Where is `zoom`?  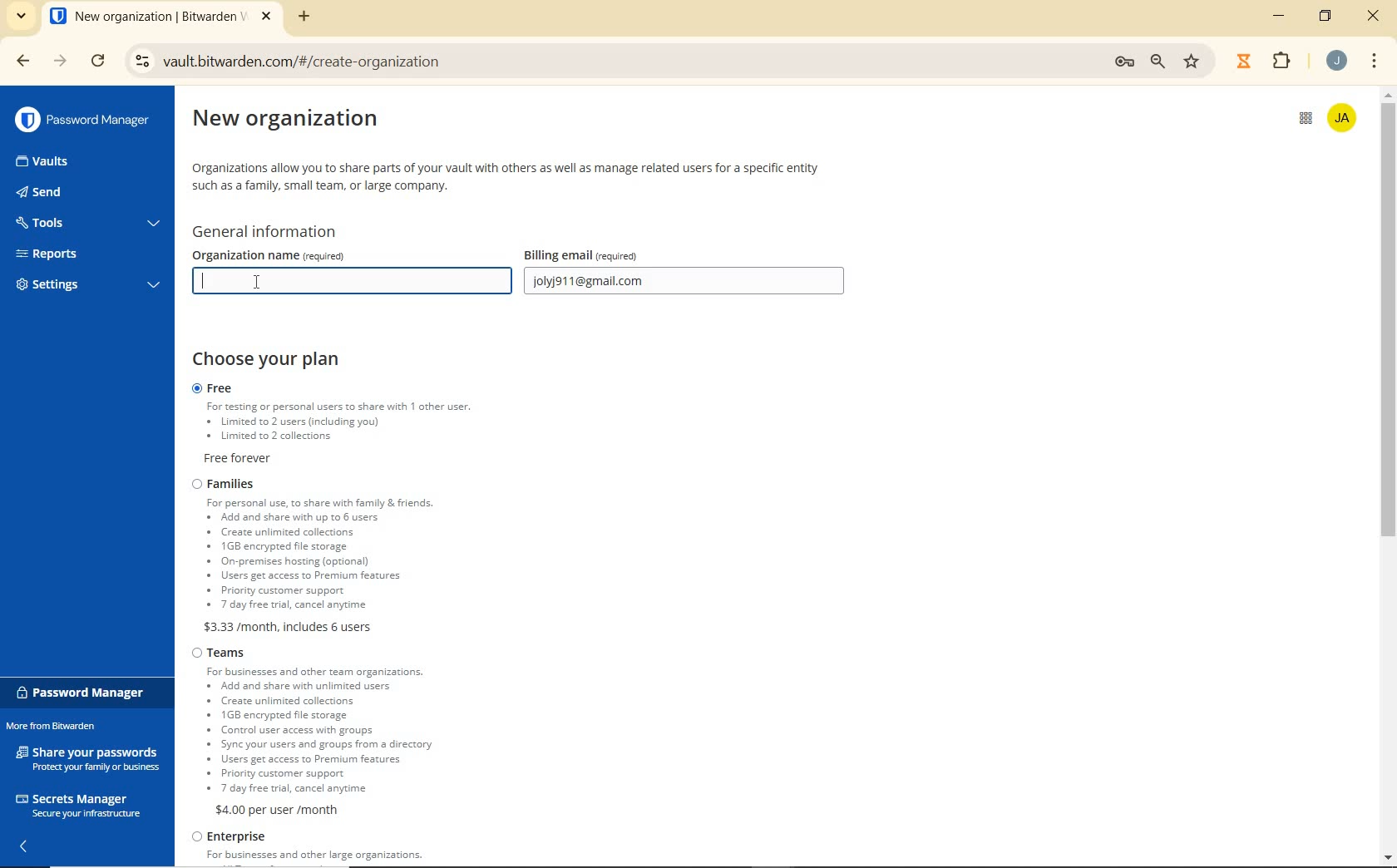
zoom is located at coordinates (1160, 62).